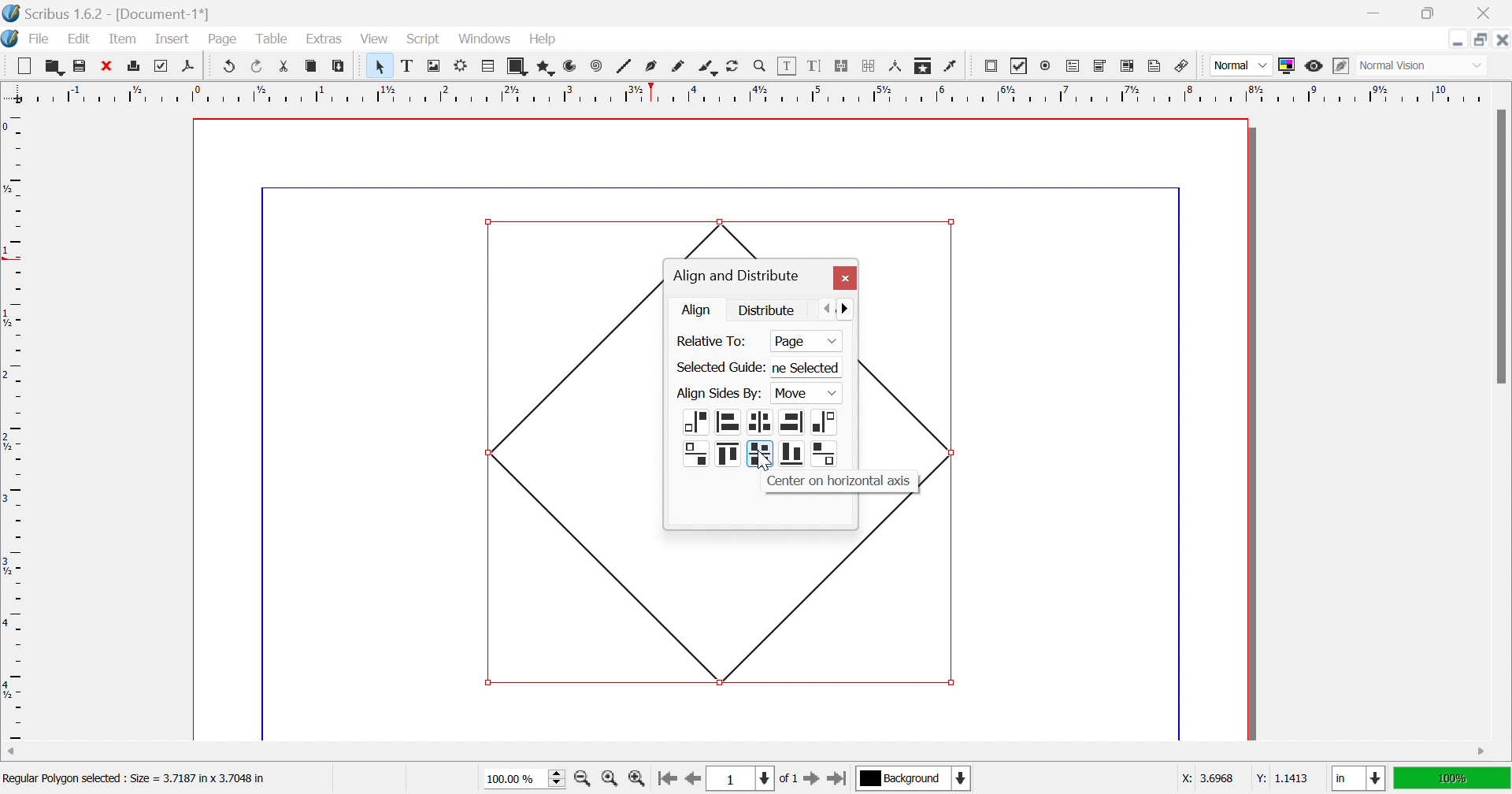  I want to click on Calligraphic line, so click(707, 69).